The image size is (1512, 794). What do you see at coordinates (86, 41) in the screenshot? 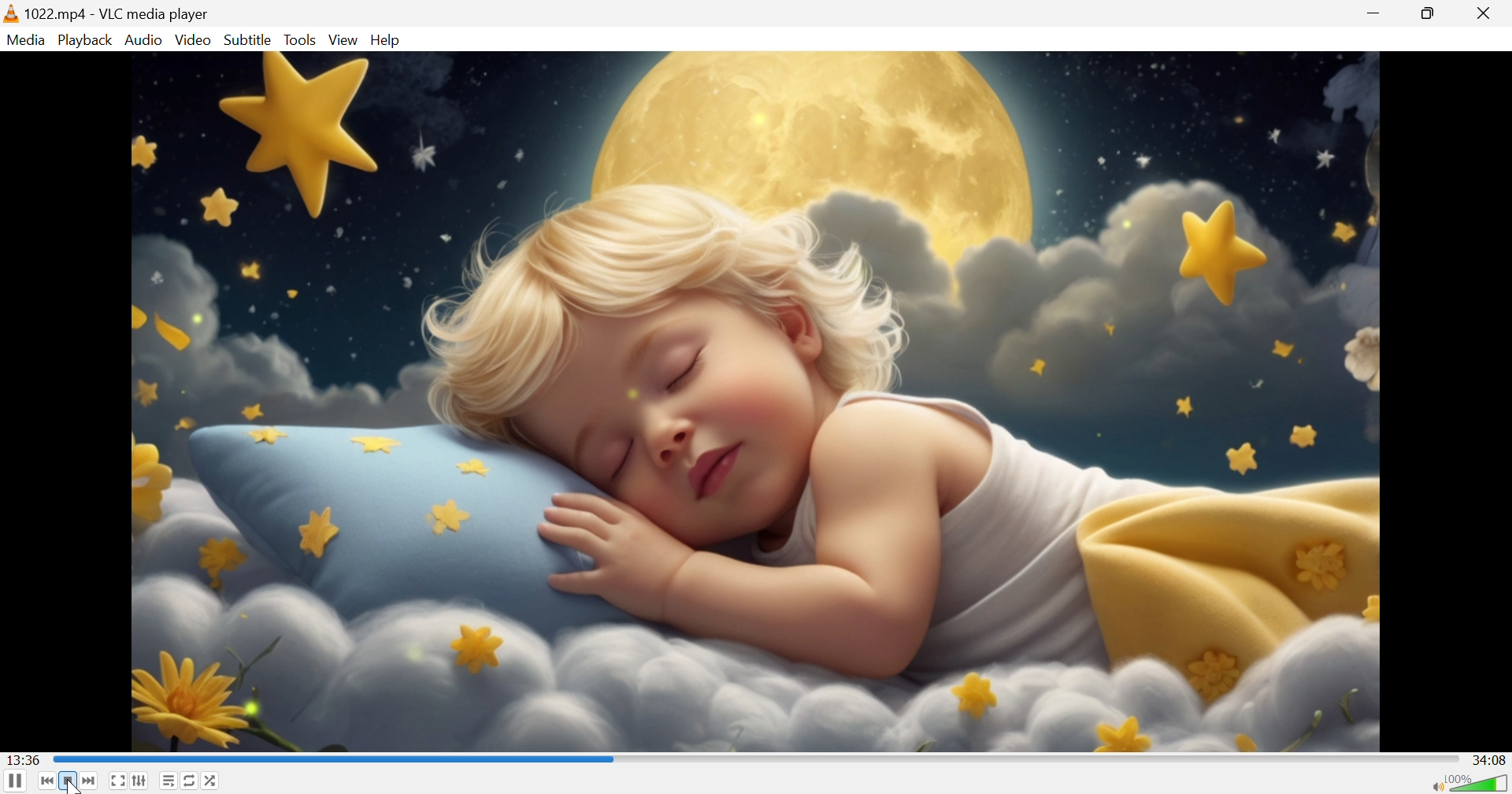
I see `Playback` at bounding box center [86, 41].